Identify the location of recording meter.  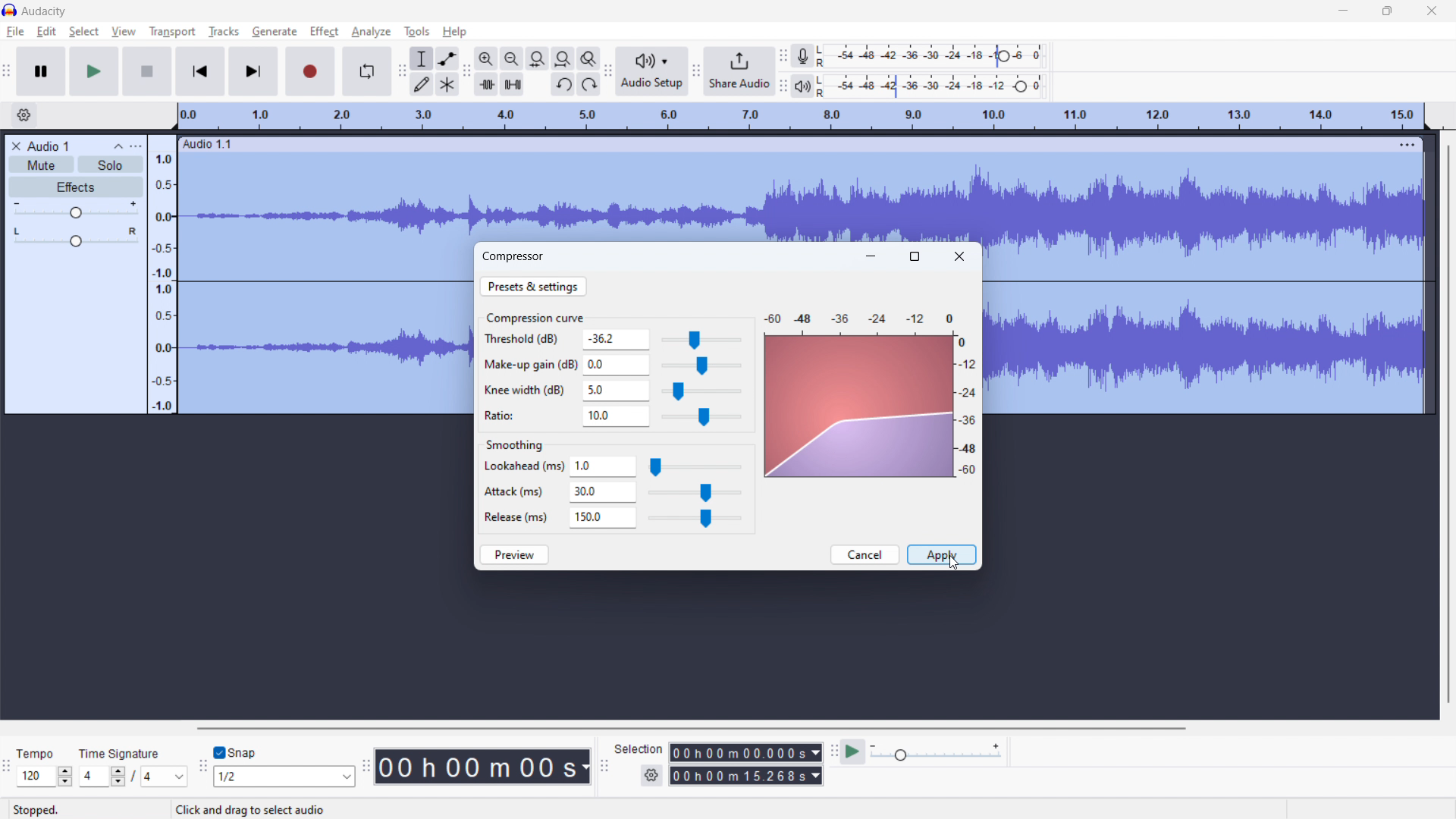
(808, 55).